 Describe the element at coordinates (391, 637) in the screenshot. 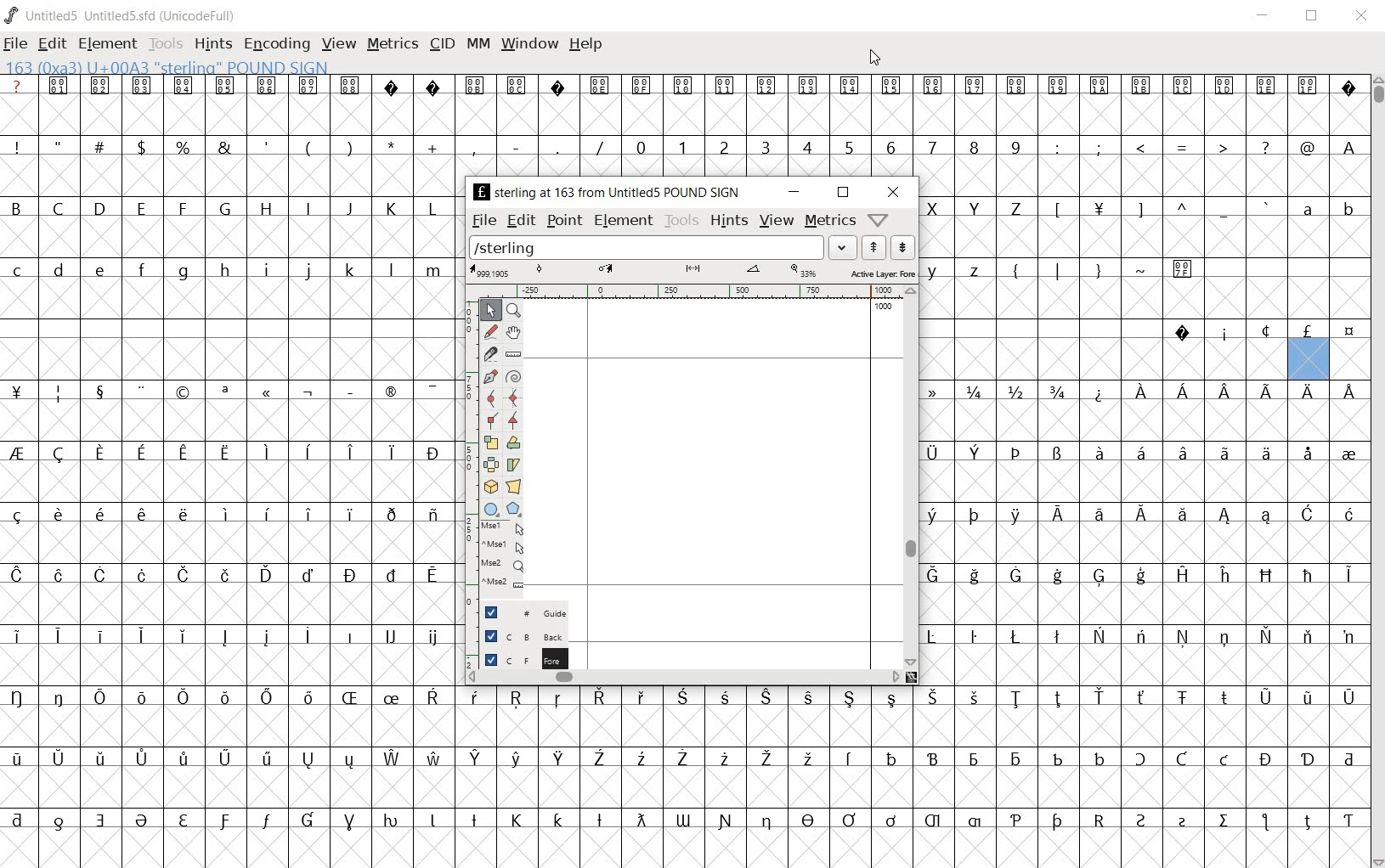

I see `Symbol` at that location.